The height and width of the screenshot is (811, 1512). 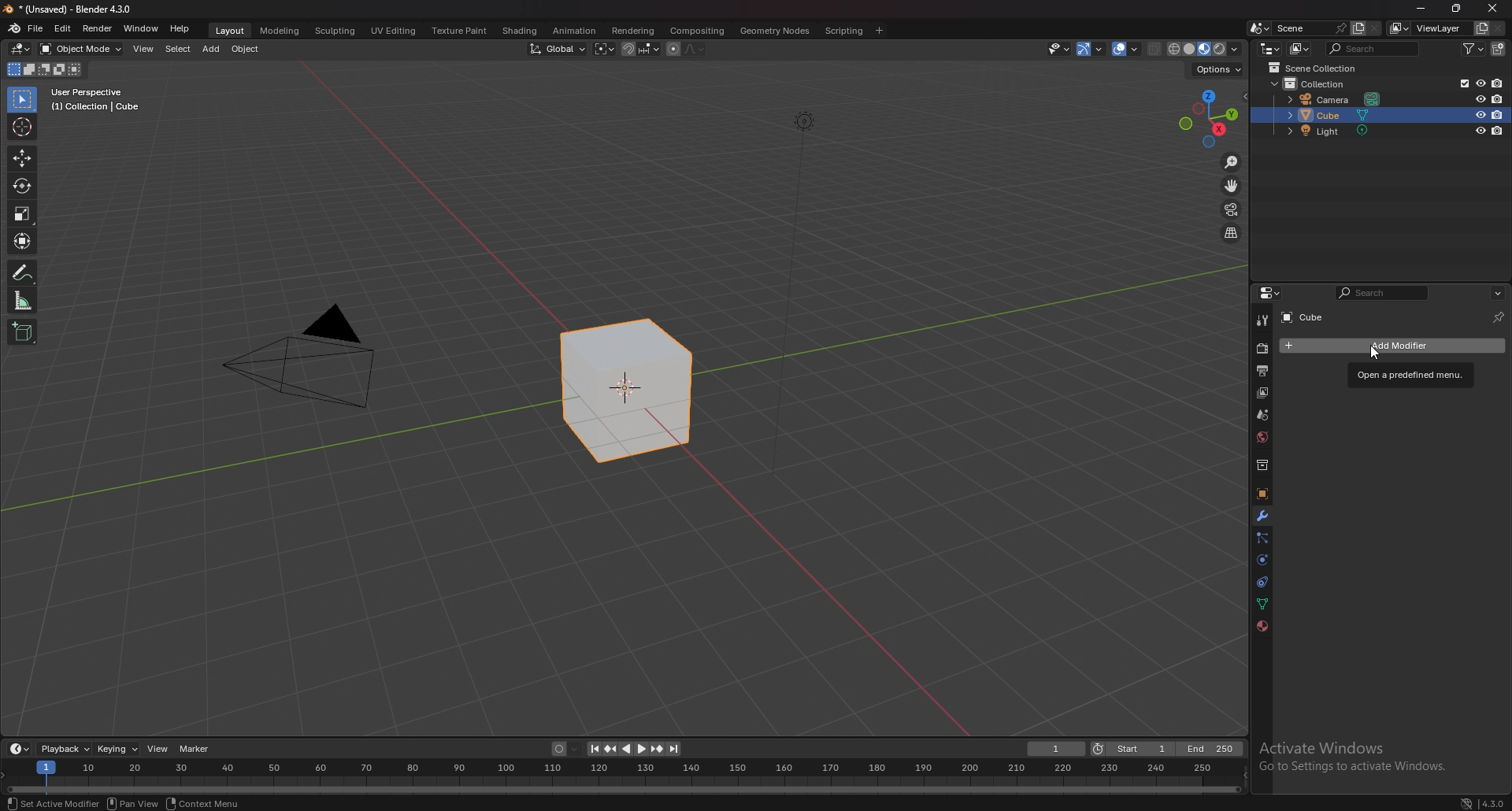 I want to click on transform pivot point, so click(x=603, y=48).